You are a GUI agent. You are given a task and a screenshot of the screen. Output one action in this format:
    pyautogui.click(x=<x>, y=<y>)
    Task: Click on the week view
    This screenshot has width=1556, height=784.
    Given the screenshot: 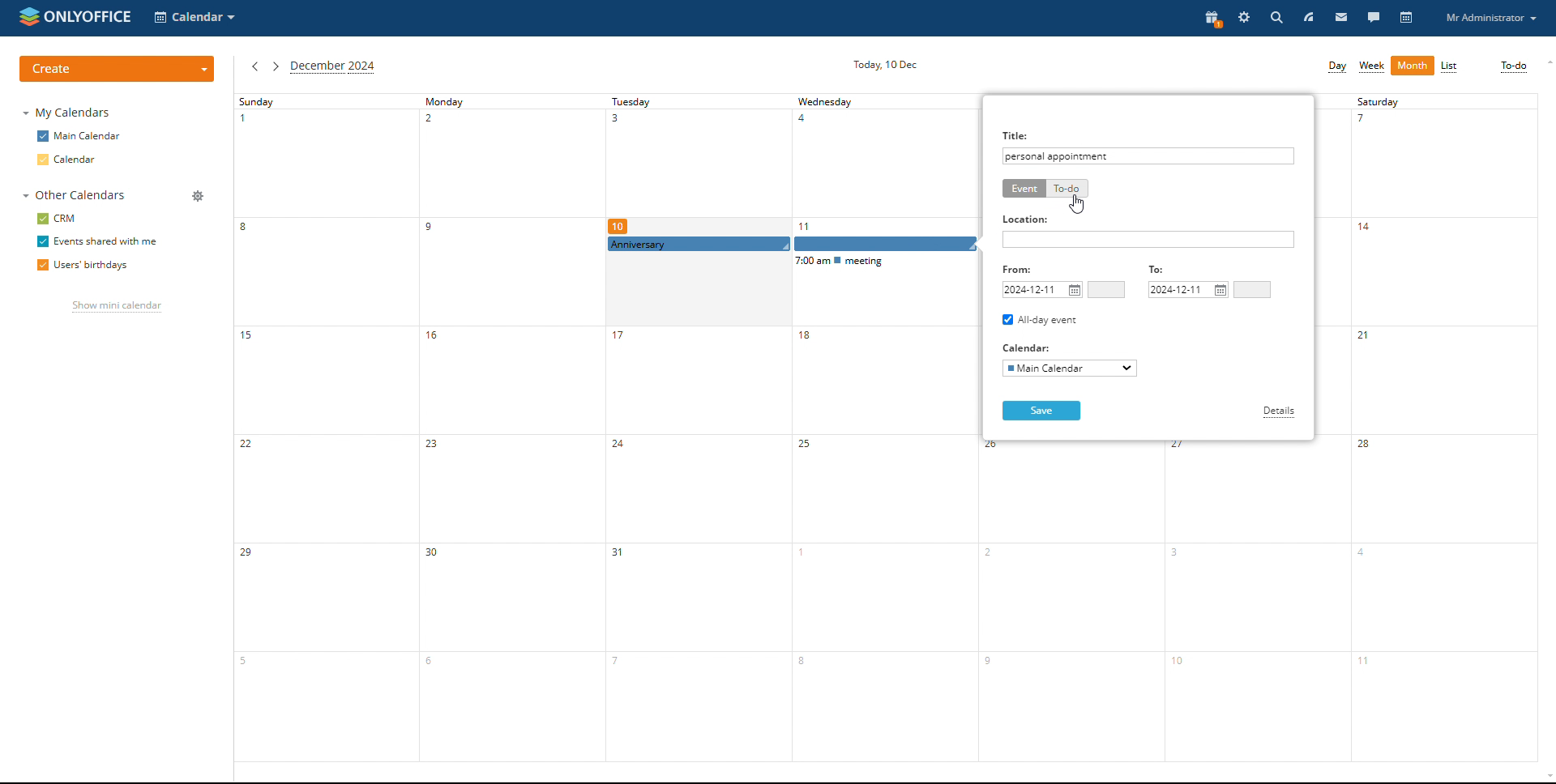 What is the action you would take?
    pyautogui.click(x=1372, y=67)
    